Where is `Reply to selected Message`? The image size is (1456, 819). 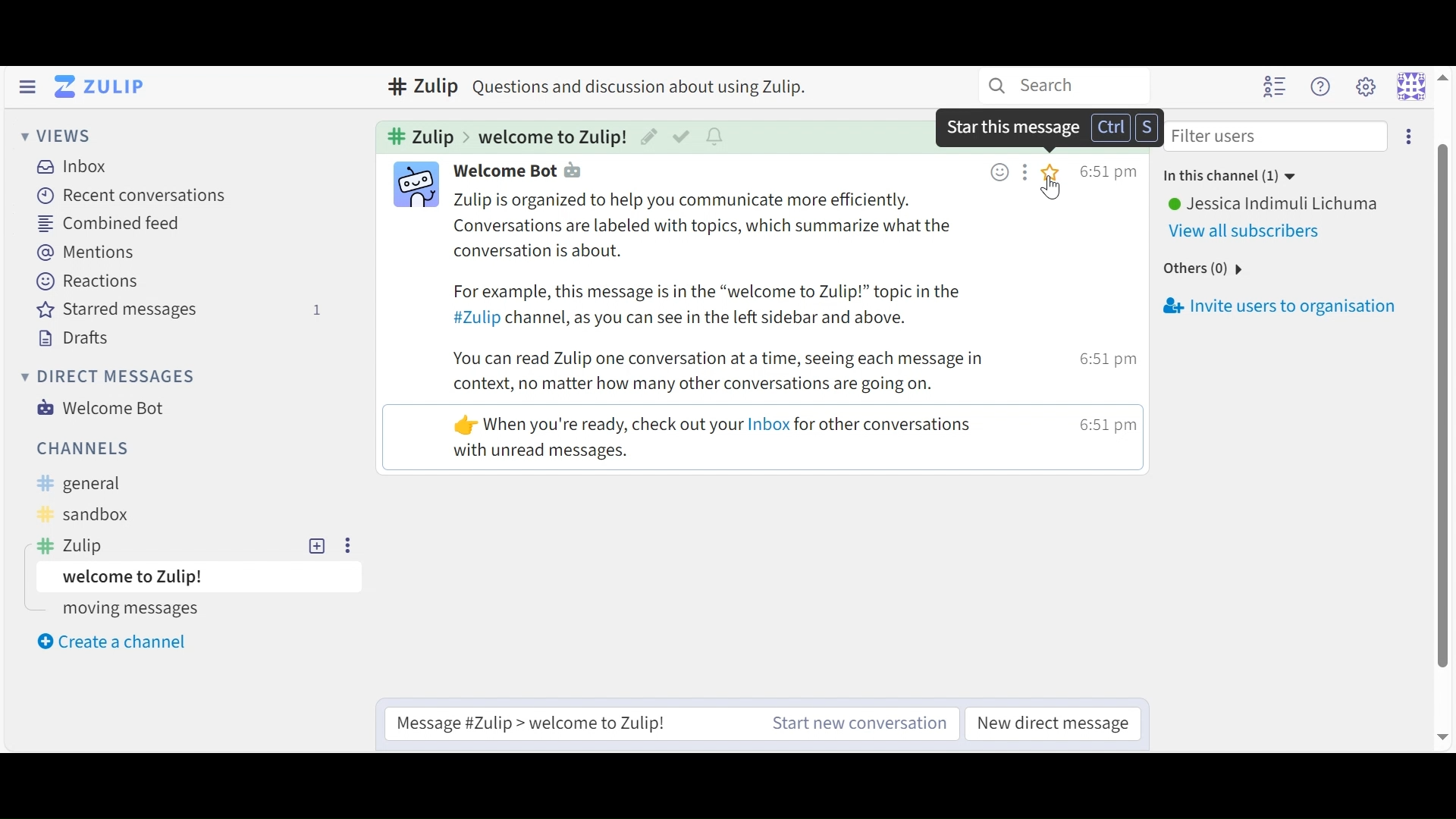 Reply to selected Message is located at coordinates (570, 722).